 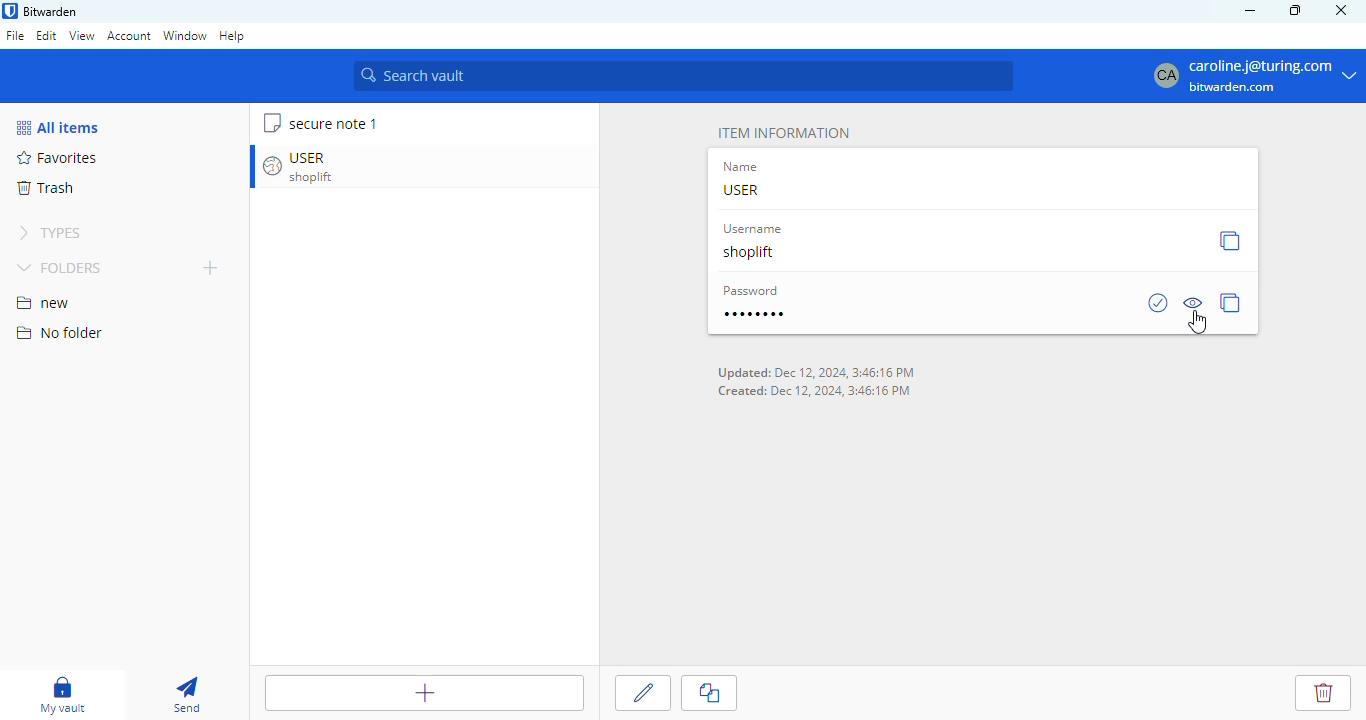 I want to click on view, so click(x=82, y=37).